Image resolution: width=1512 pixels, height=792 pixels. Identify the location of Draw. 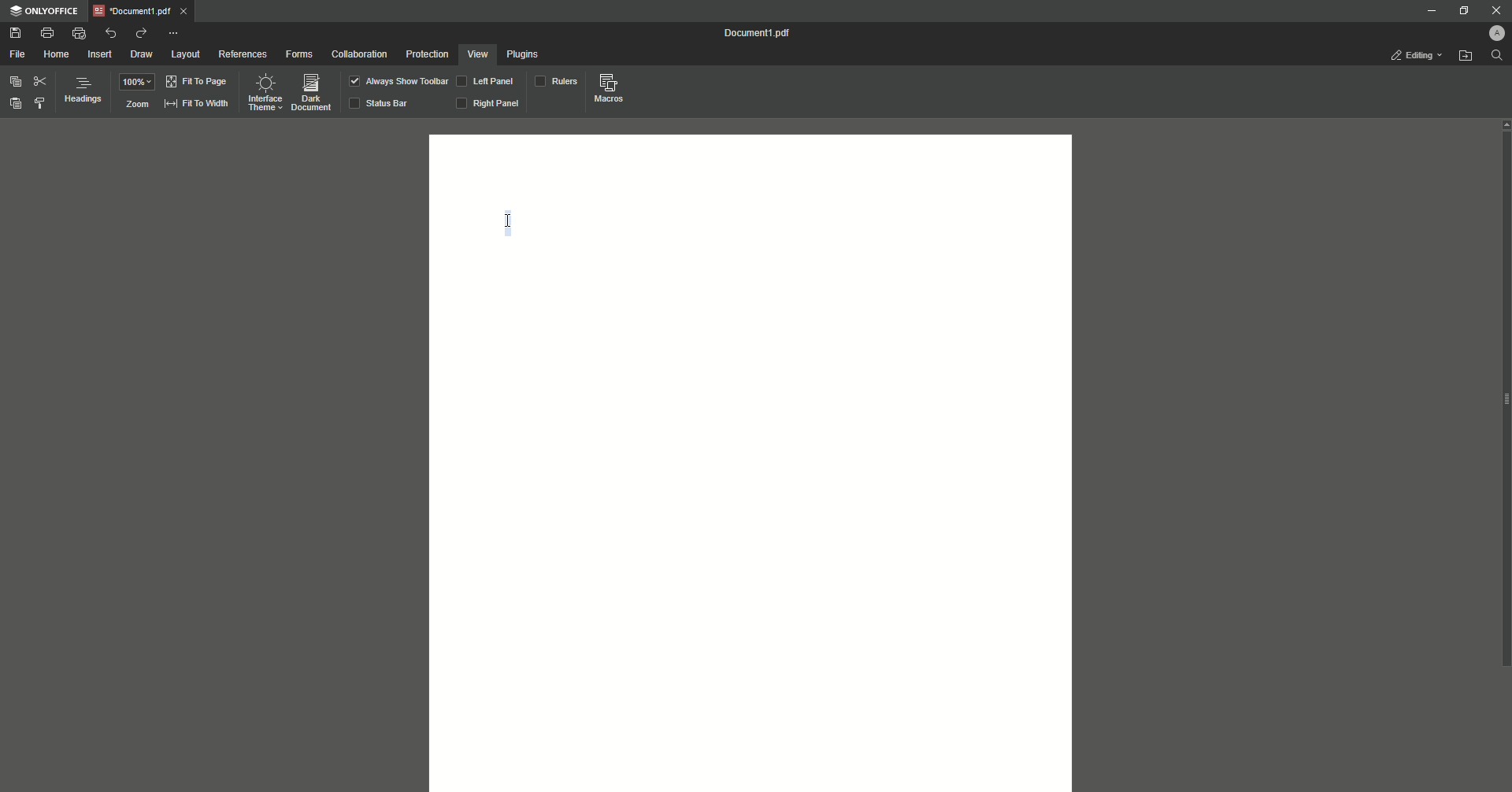
(143, 54).